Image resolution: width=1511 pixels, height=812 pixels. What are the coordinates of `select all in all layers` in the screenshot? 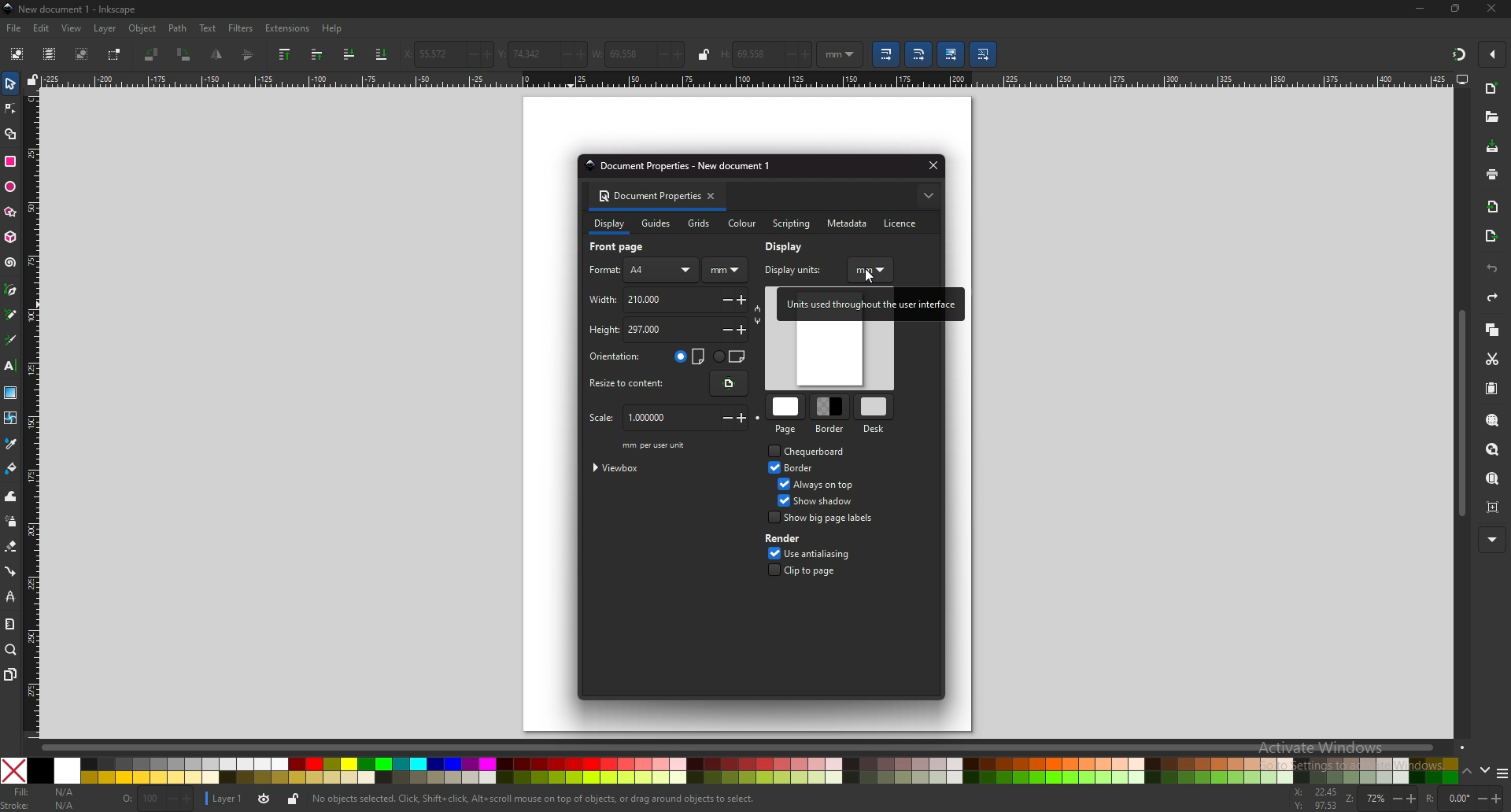 It's located at (49, 54).